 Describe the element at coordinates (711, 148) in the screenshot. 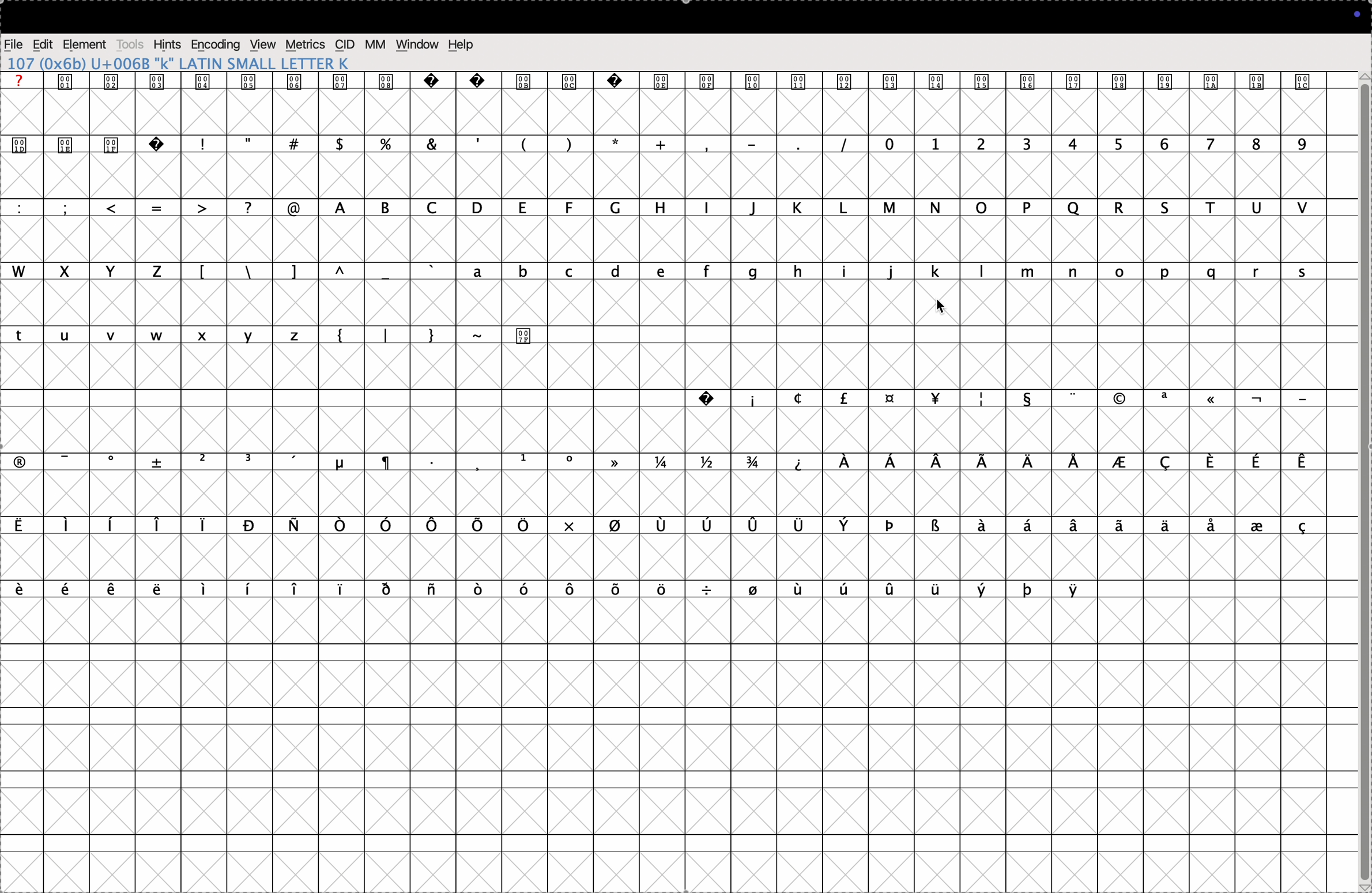

I see `,` at that location.